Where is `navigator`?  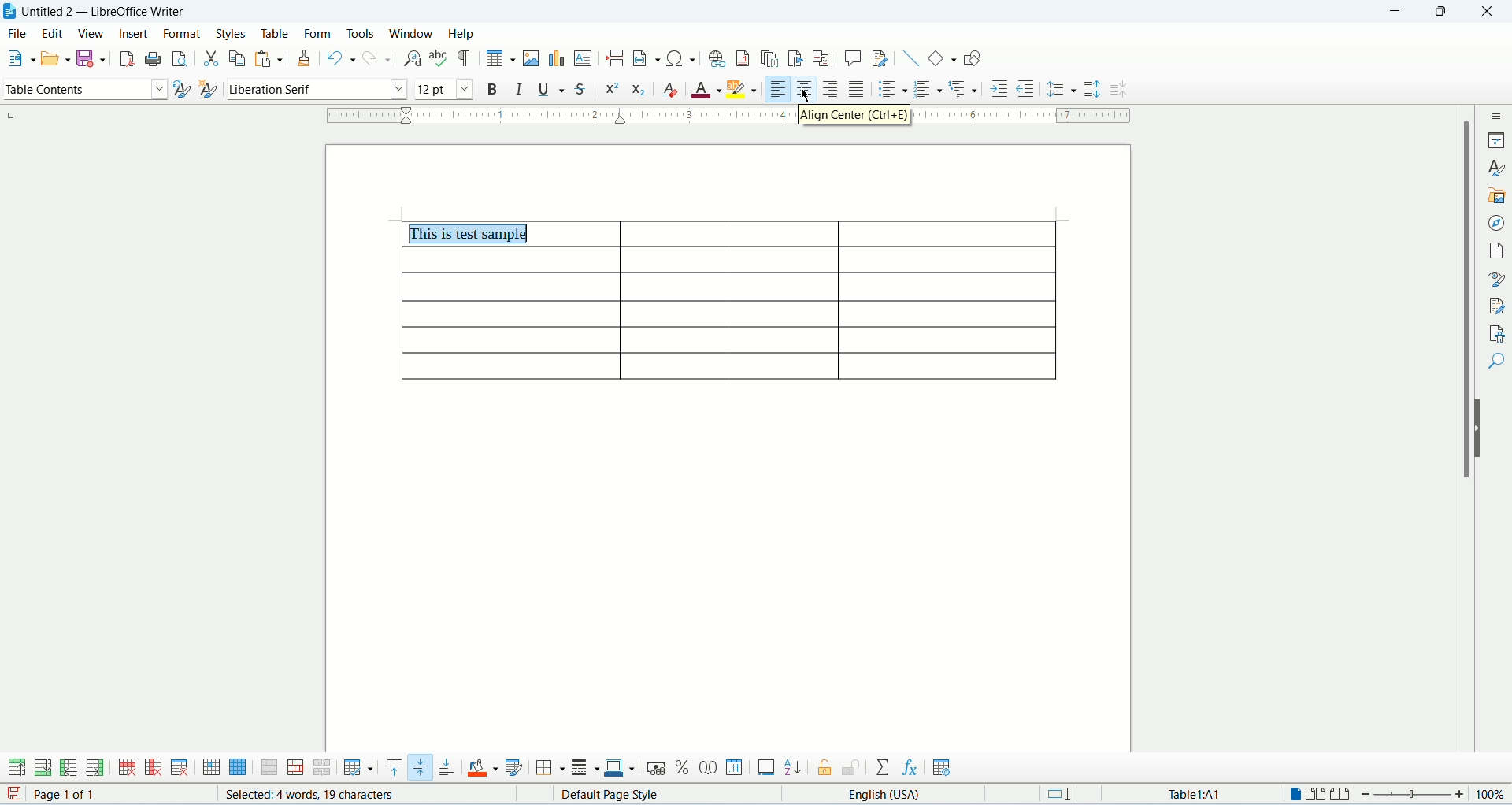 navigator is located at coordinates (1497, 221).